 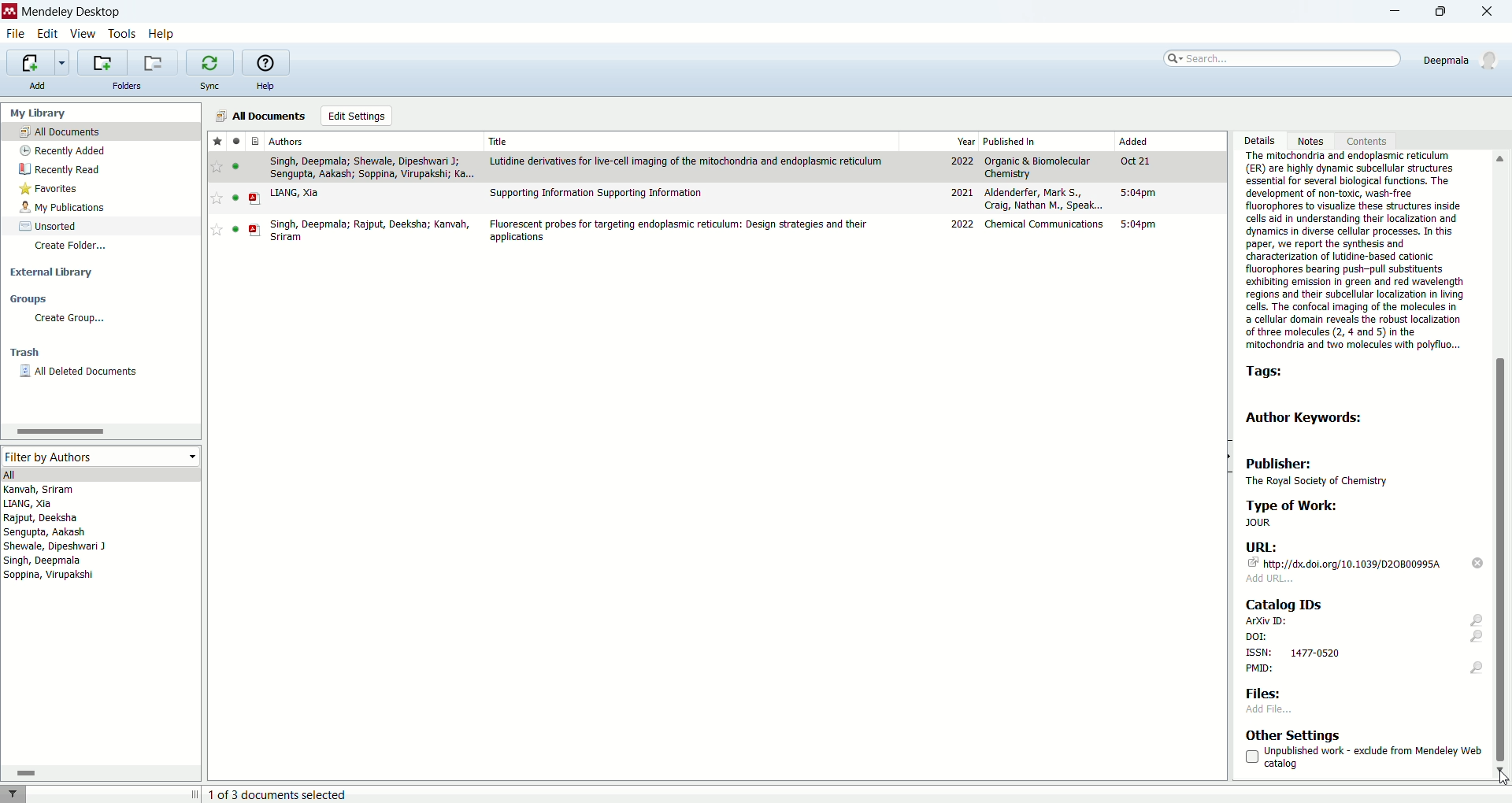 What do you see at coordinates (235, 198) in the screenshot?
I see `unread` at bounding box center [235, 198].